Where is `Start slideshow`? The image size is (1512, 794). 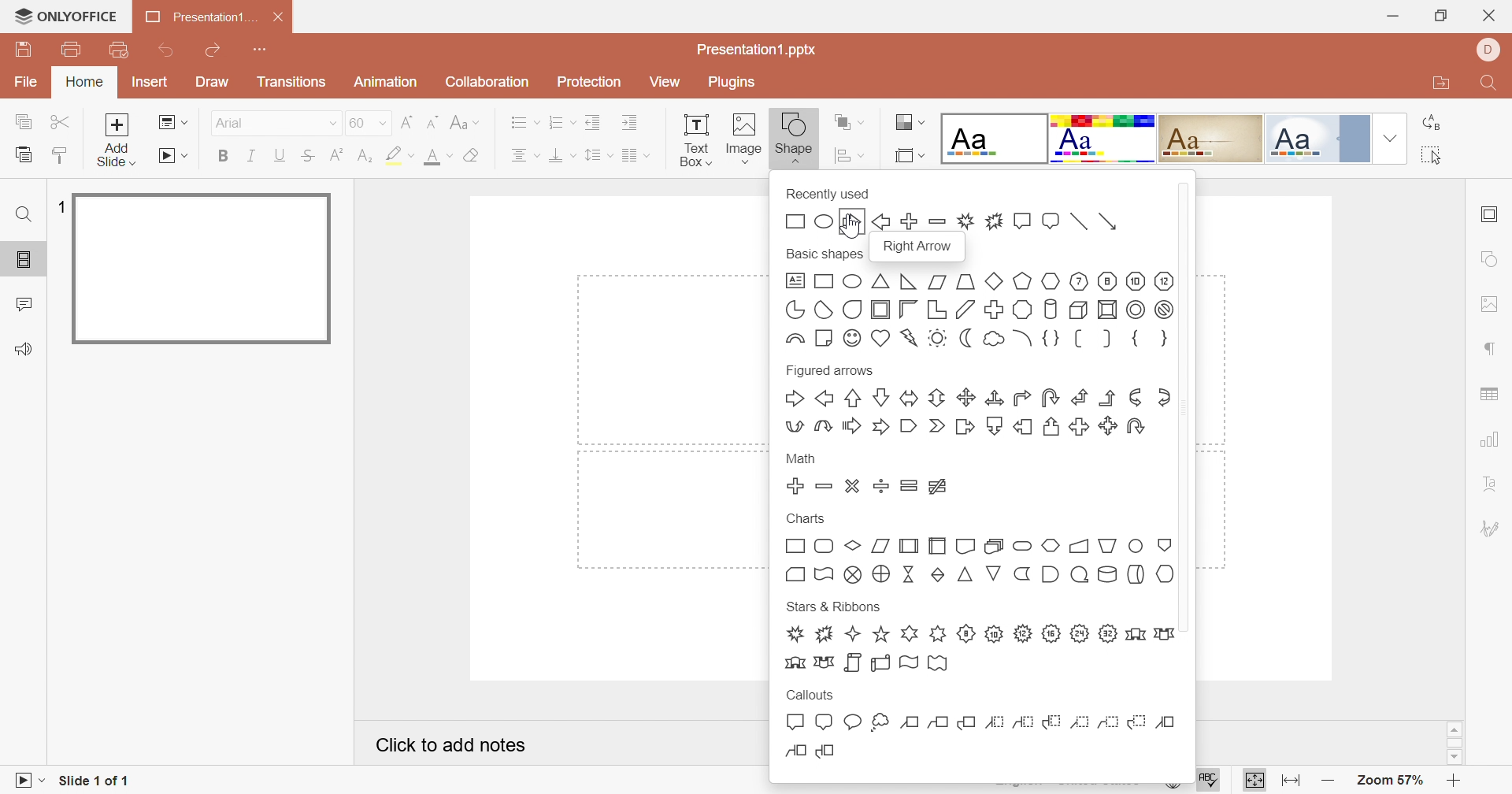 Start slideshow is located at coordinates (173, 156).